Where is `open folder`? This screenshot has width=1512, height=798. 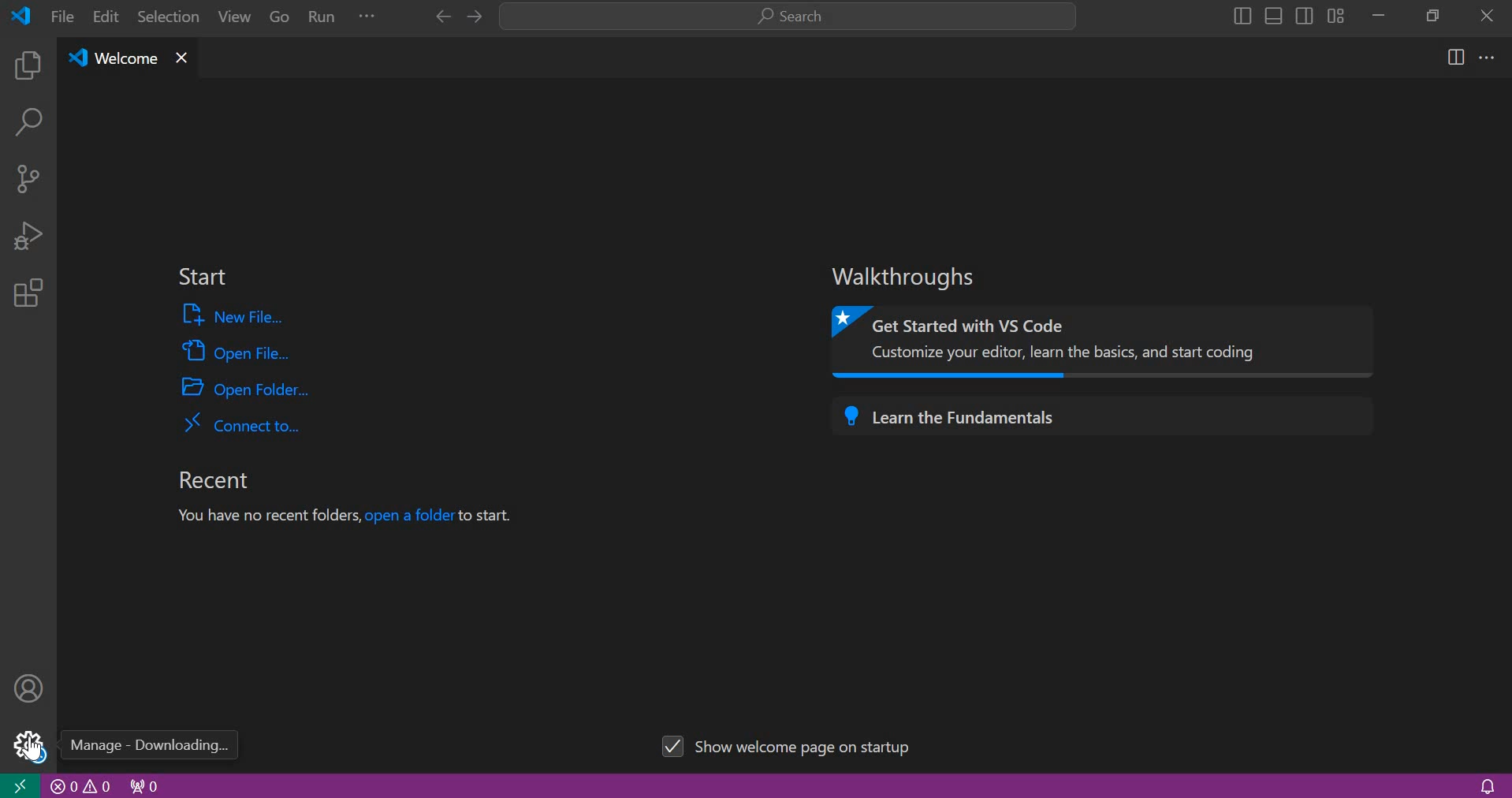 open folder is located at coordinates (248, 386).